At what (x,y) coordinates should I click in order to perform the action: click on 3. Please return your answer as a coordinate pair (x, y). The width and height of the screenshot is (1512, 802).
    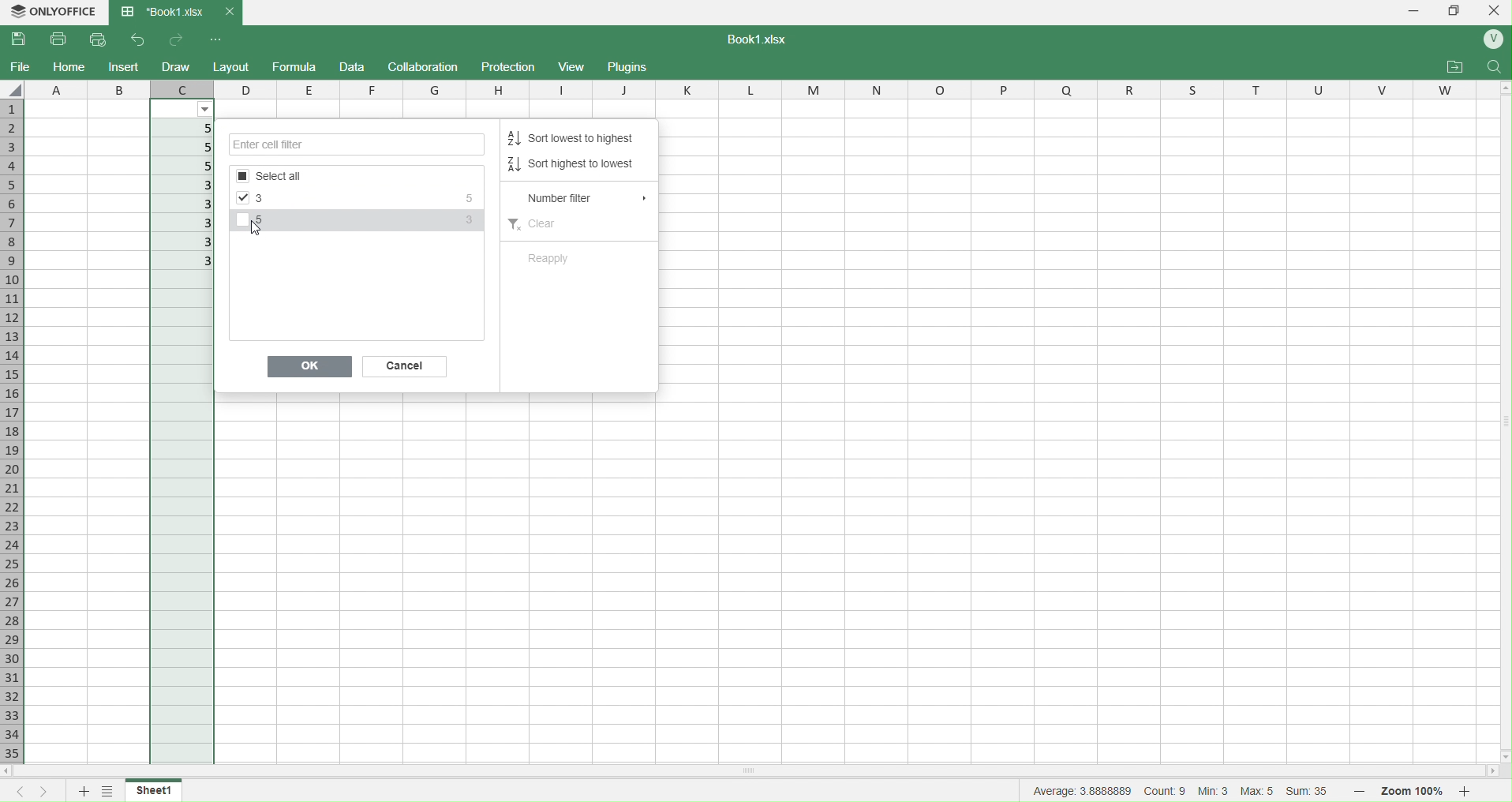
    Looking at the image, I should click on (468, 223).